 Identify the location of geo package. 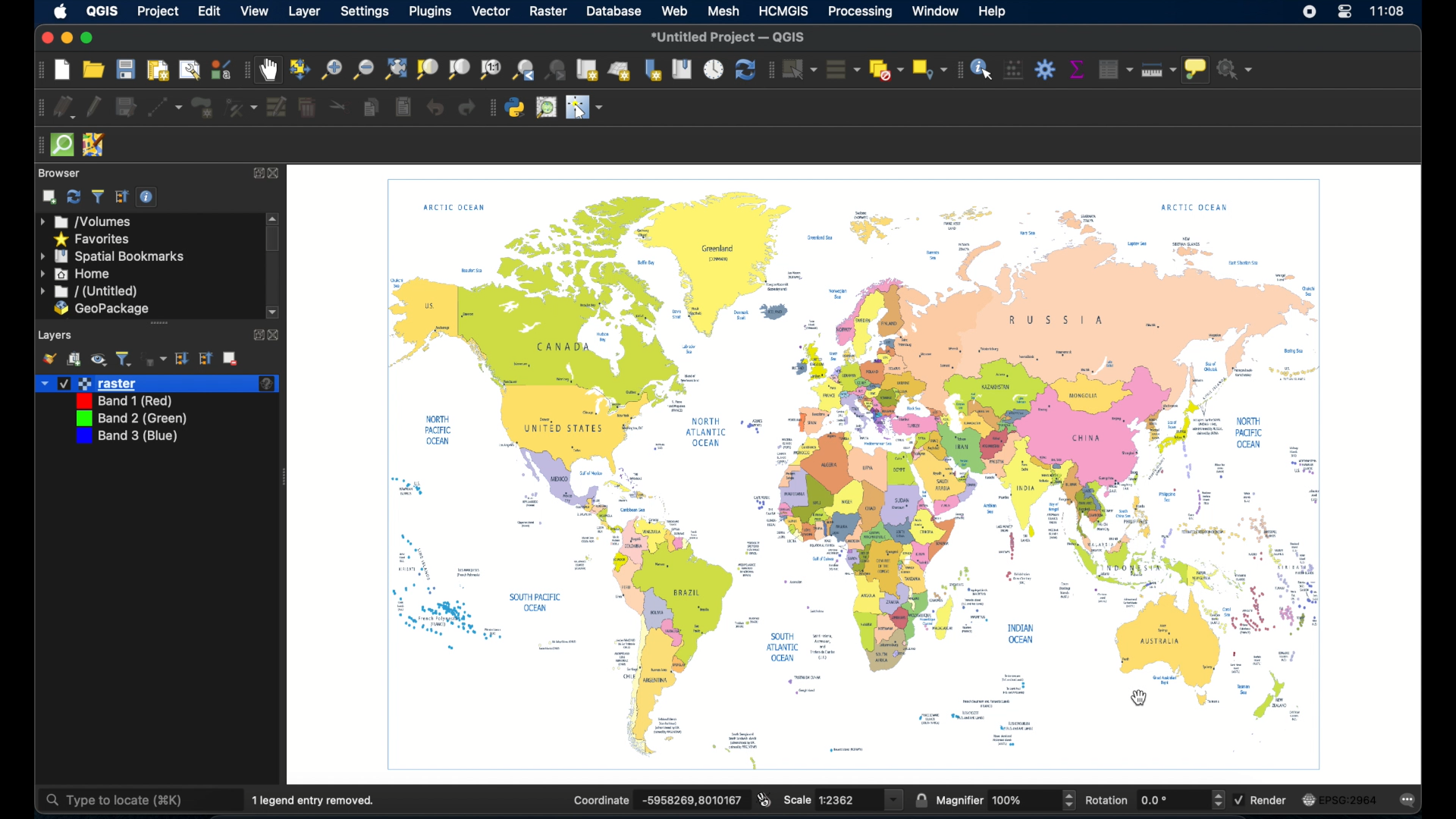
(101, 309).